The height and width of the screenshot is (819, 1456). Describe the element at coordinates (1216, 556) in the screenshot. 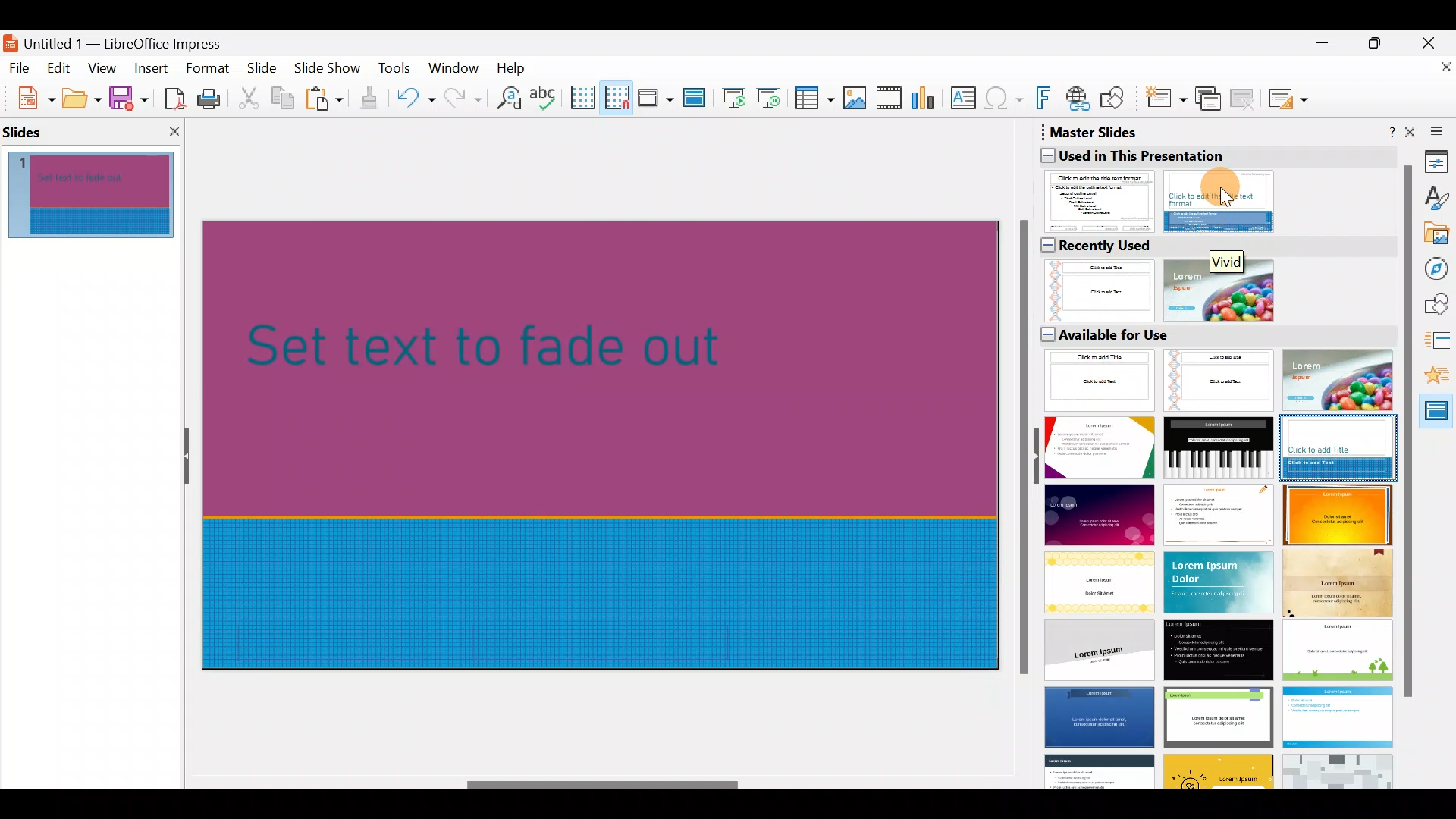

I see `Slides available for use` at that location.